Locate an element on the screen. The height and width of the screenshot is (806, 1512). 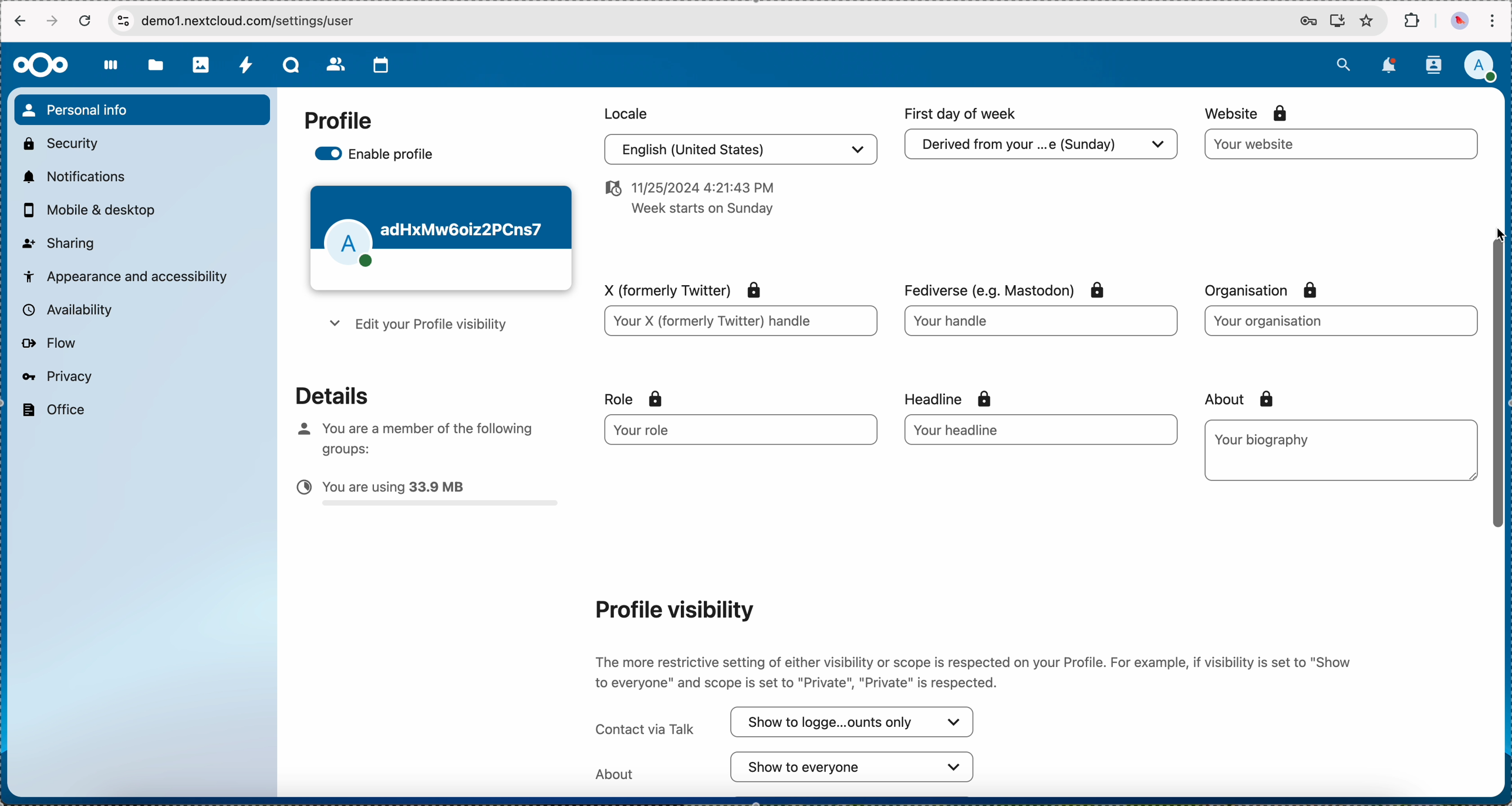
biography is located at coordinates (1265, 439).